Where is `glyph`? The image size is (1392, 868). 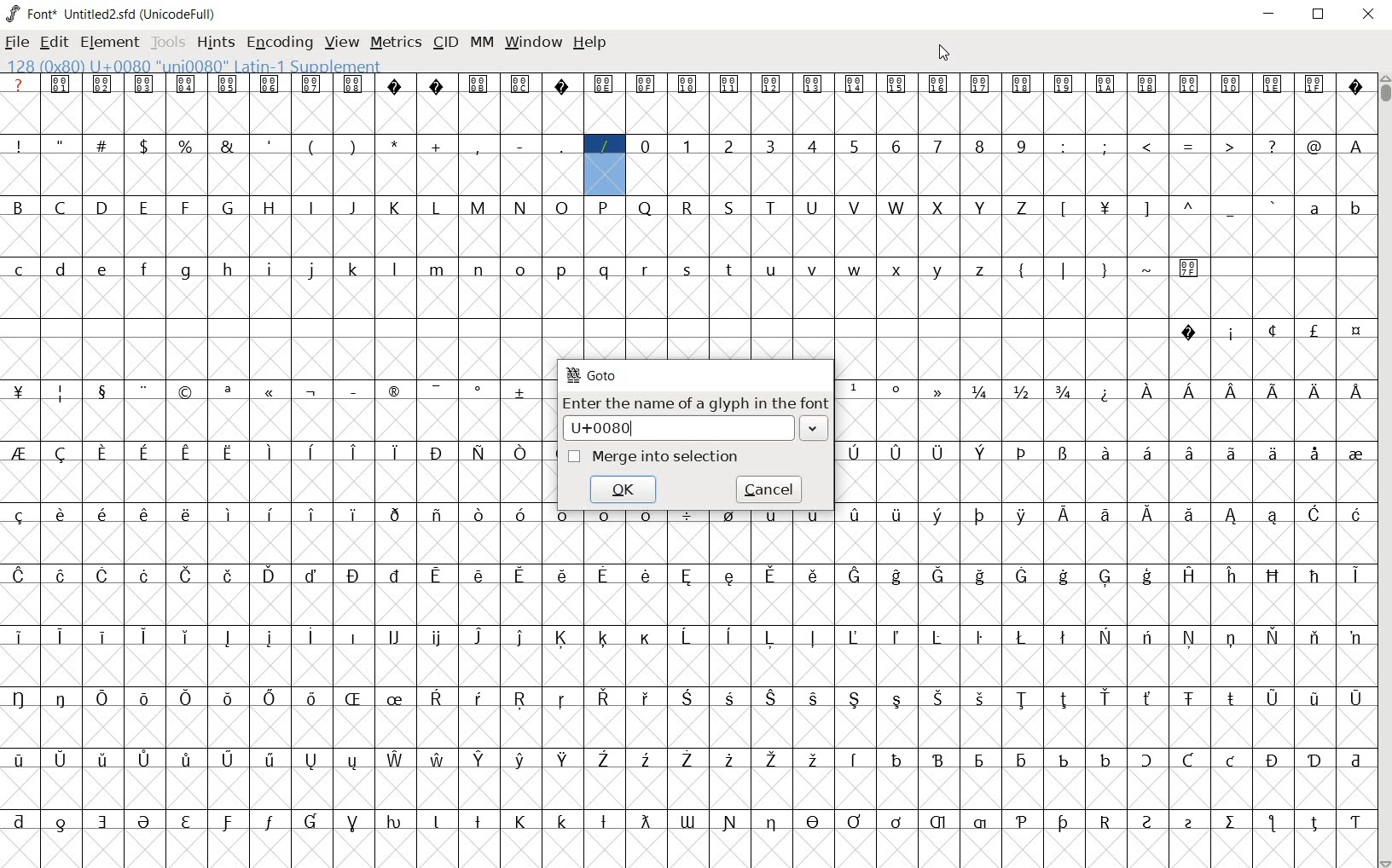
glyph is located at coordinates (145, 391).